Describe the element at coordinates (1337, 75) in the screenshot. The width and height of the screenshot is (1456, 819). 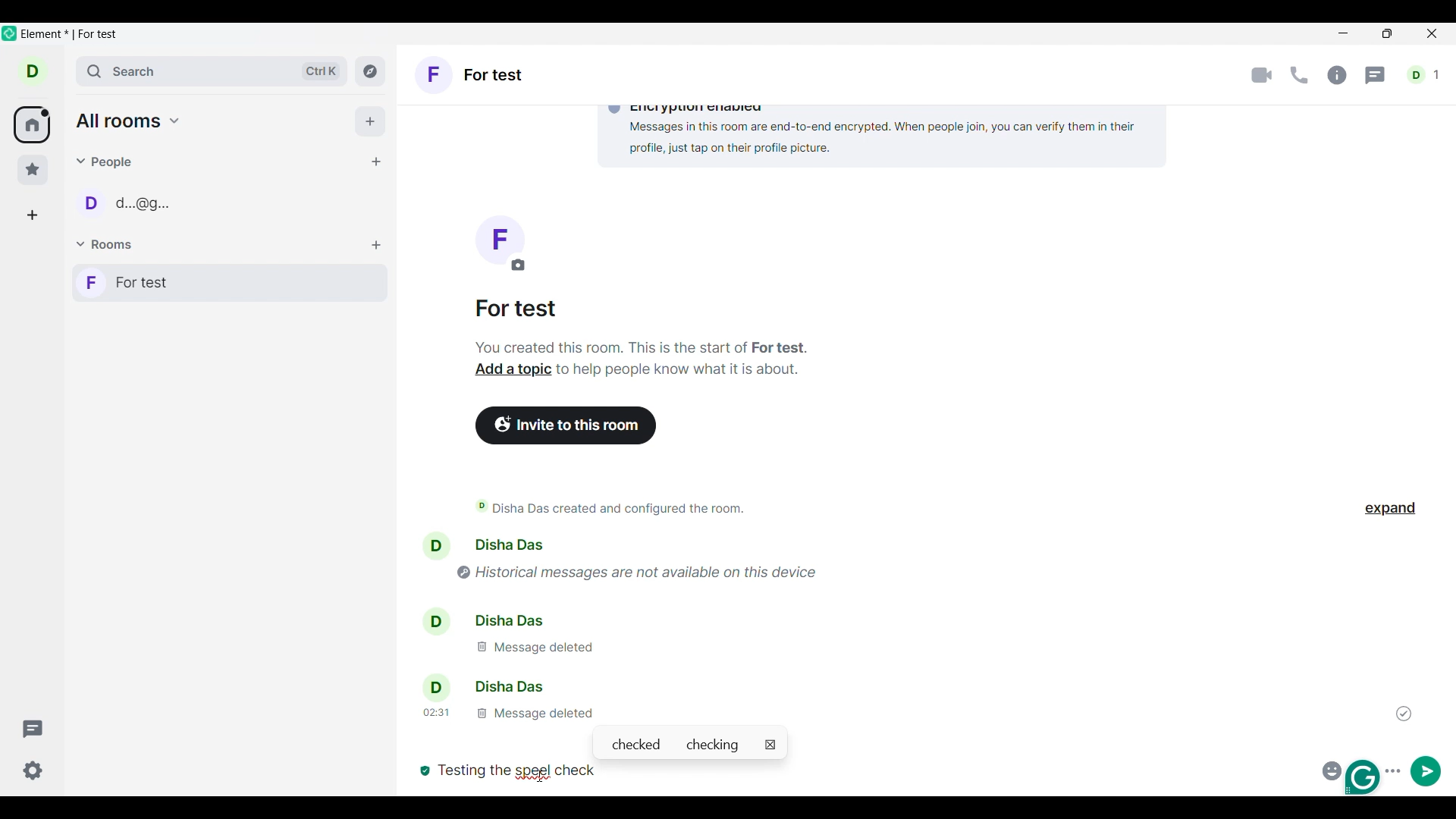
I see `Room info` at that location.